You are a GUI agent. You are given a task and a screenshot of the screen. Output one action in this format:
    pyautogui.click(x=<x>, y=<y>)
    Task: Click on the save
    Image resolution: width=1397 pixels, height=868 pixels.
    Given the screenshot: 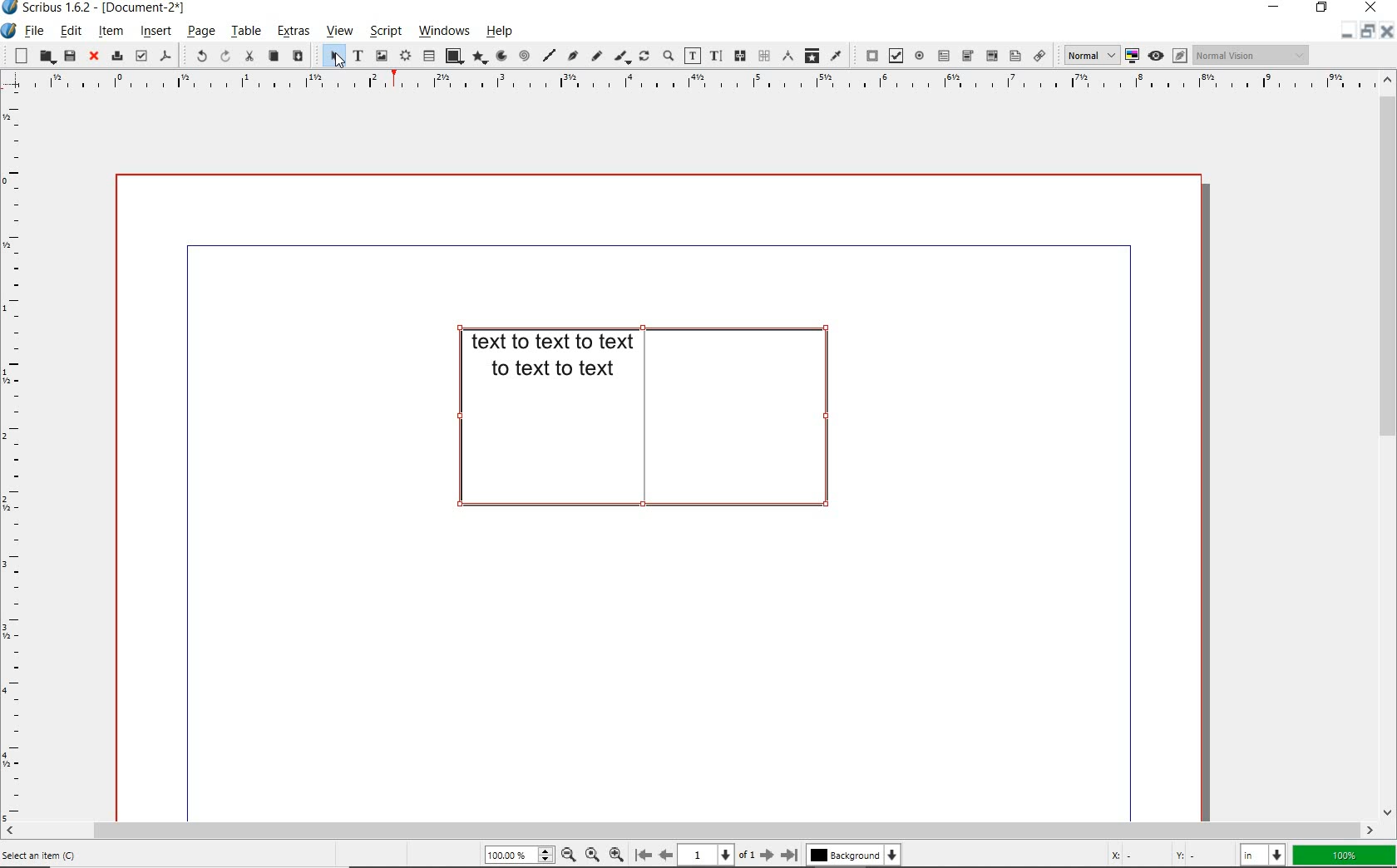 What is the action you would take?
    pyautogui.click(x=68, y=57)
    